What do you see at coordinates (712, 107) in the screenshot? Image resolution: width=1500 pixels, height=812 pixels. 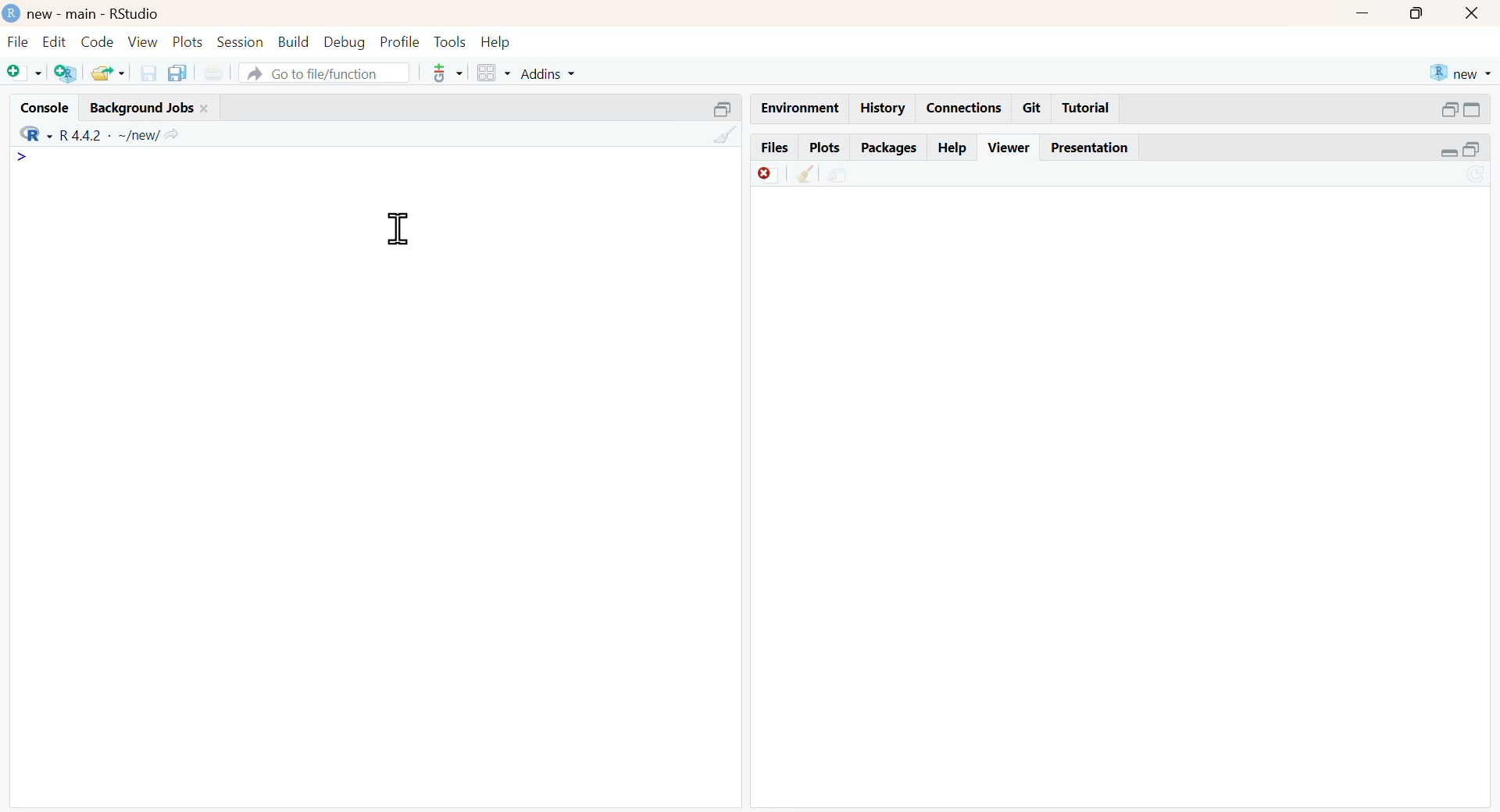 I see `Minimize` at bounding box center [712, 107].